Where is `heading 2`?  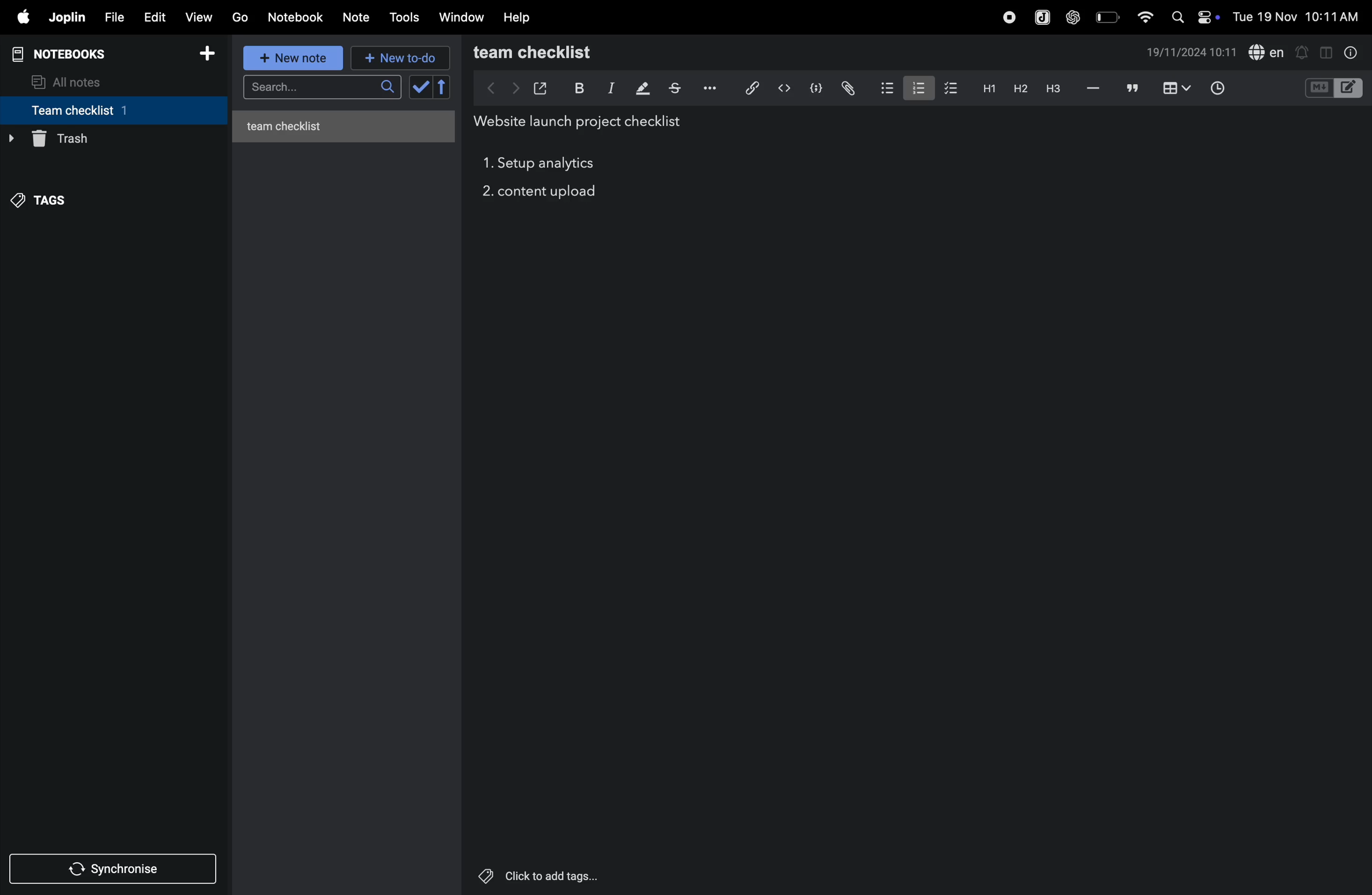
heading 2 is located at coordinates (1017, 88).